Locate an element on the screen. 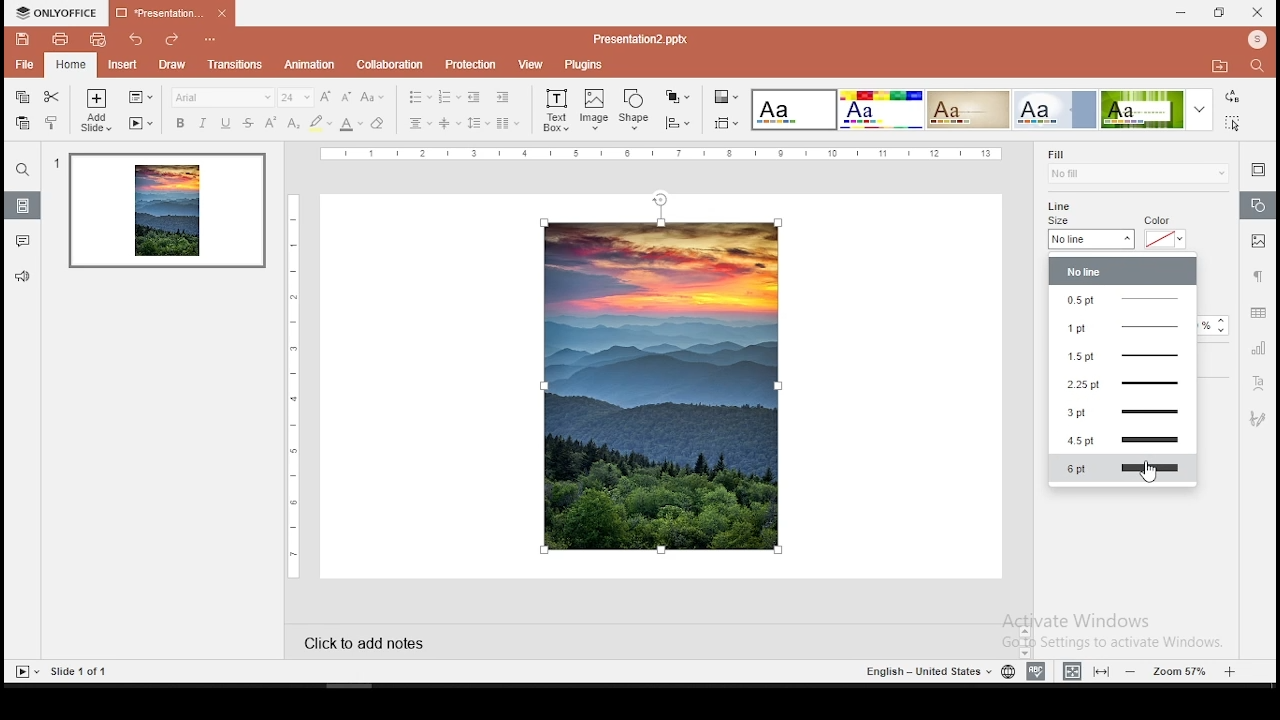 The image size is (1280, 720). horizontal scale is located at coordinates (668, 154).